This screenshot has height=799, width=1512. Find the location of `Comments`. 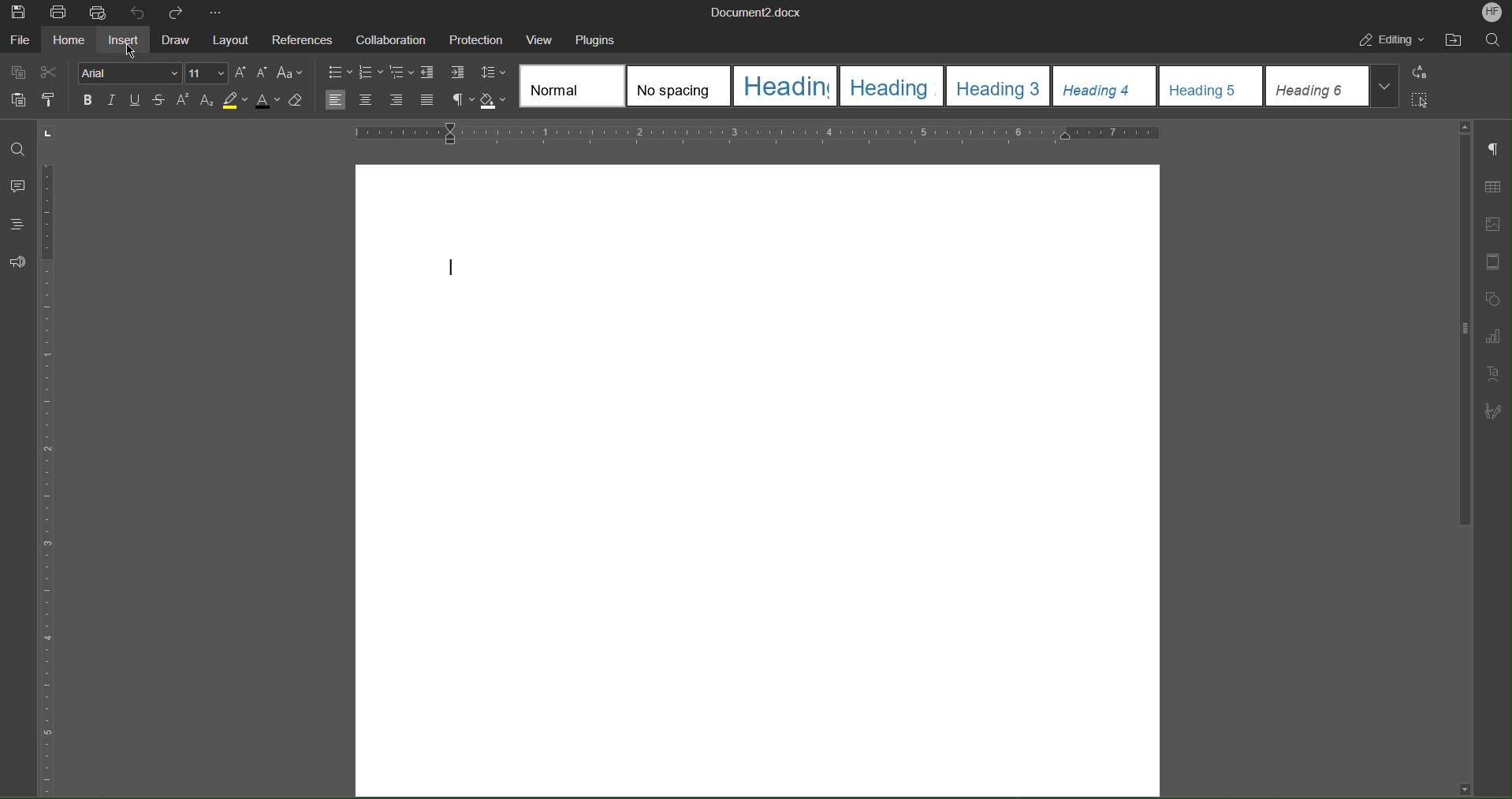

Comments is located at coordinates (19, 186).